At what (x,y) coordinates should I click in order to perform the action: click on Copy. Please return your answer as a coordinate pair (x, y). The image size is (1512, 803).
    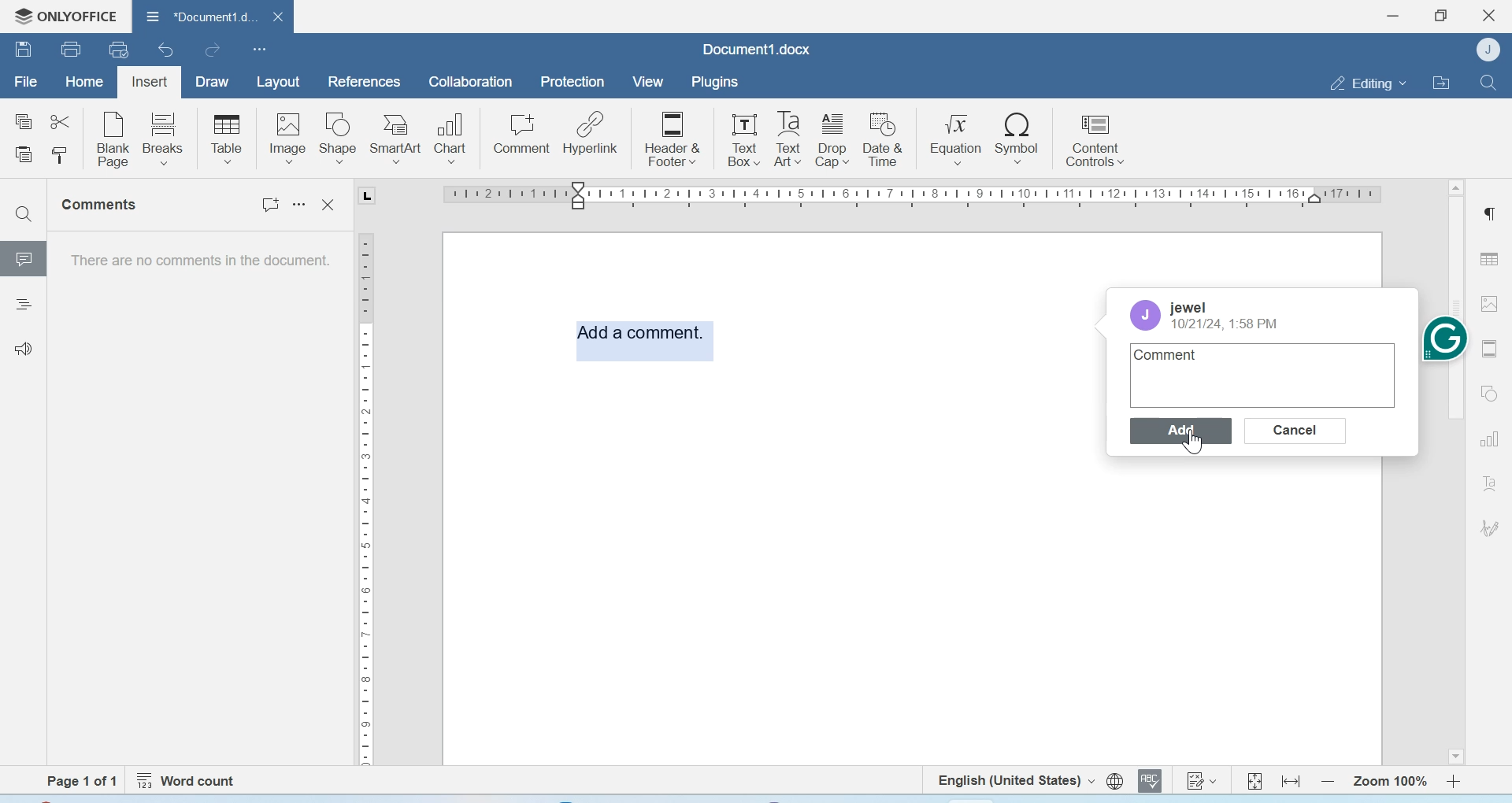
    Looking at the image, I should click on (24, 122).